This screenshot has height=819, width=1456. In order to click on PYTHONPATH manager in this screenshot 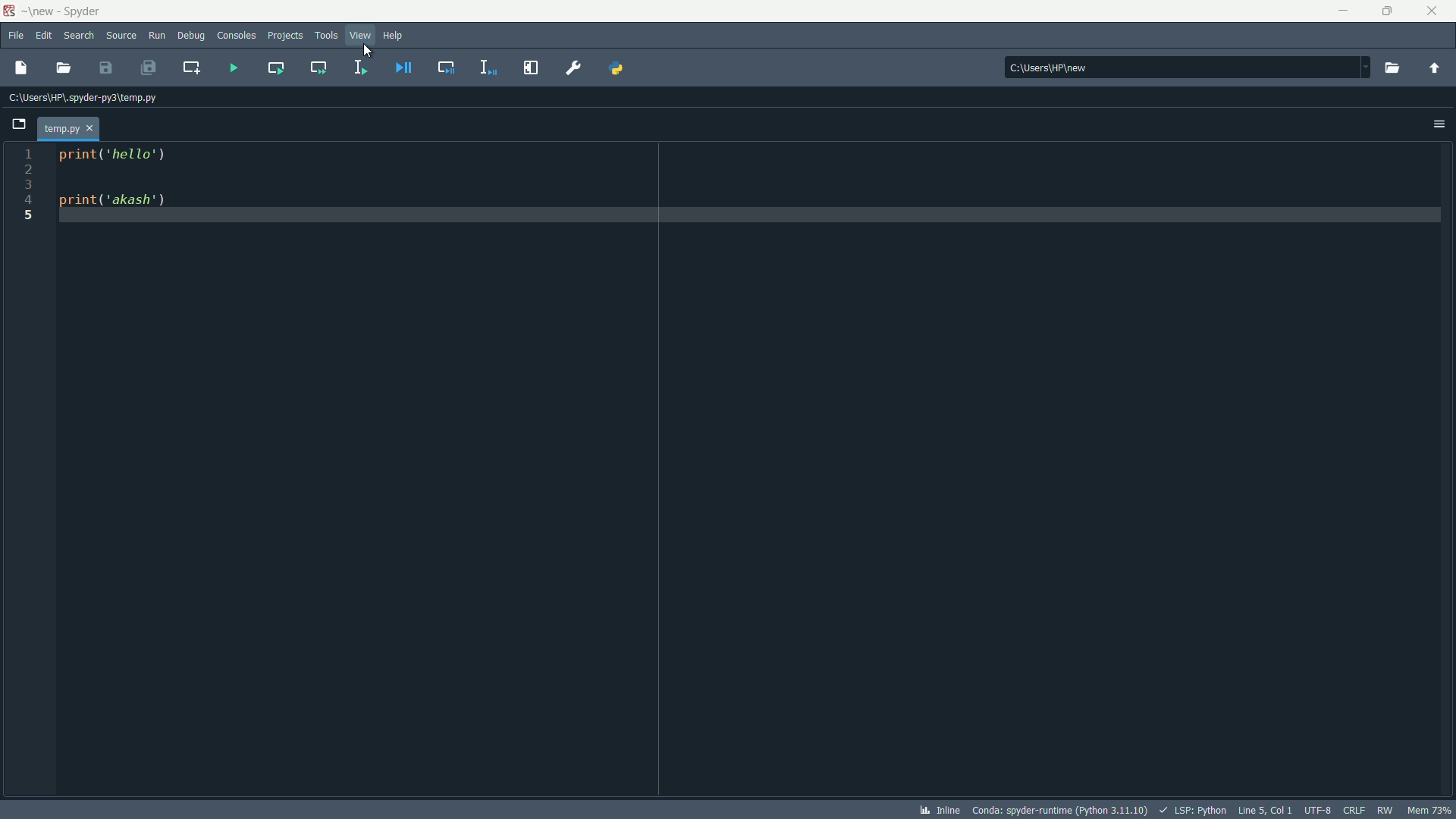, I will do `click(616, 70)`.